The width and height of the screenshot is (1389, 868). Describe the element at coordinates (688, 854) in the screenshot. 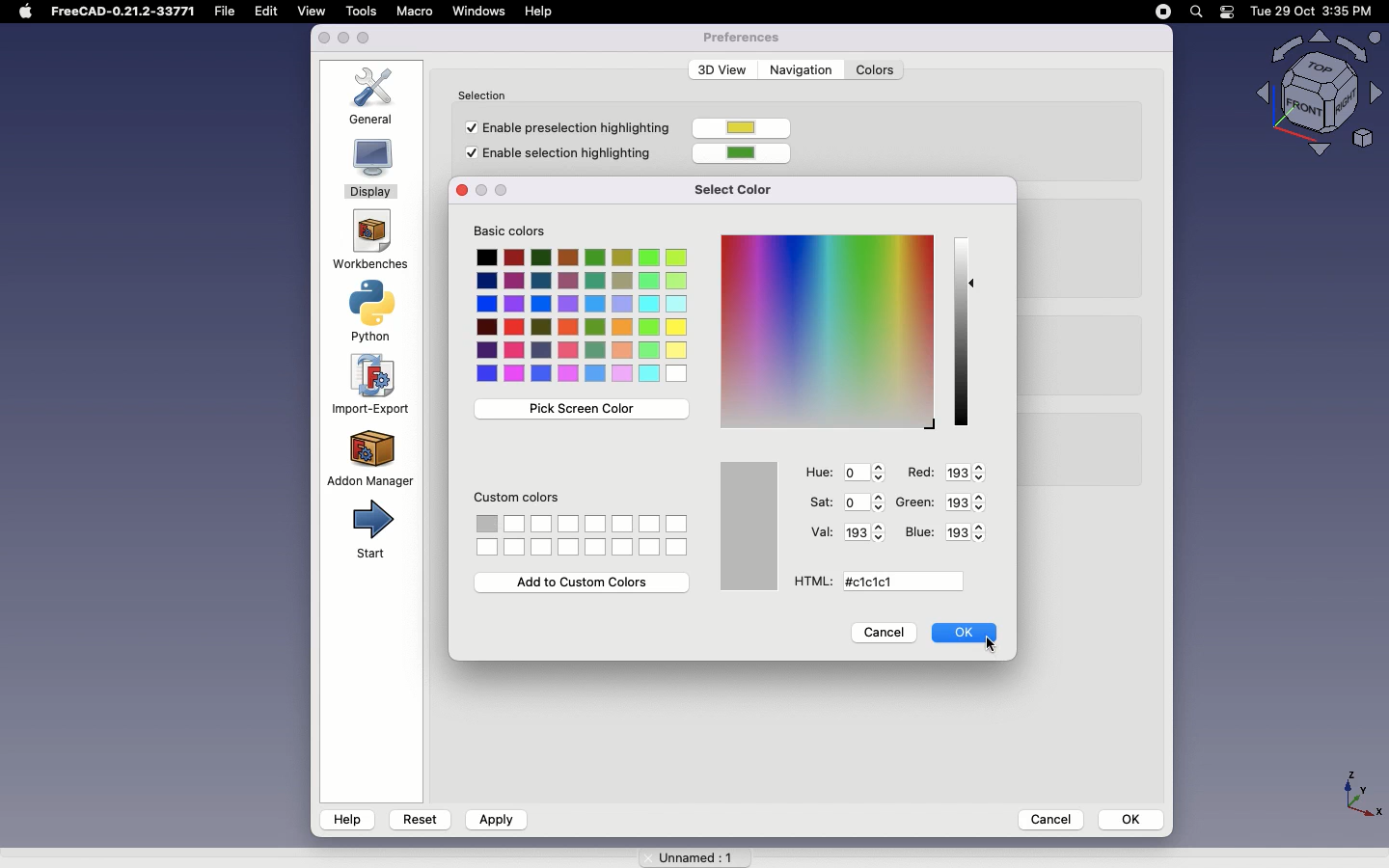

I see `Unnamed 1` at that location.